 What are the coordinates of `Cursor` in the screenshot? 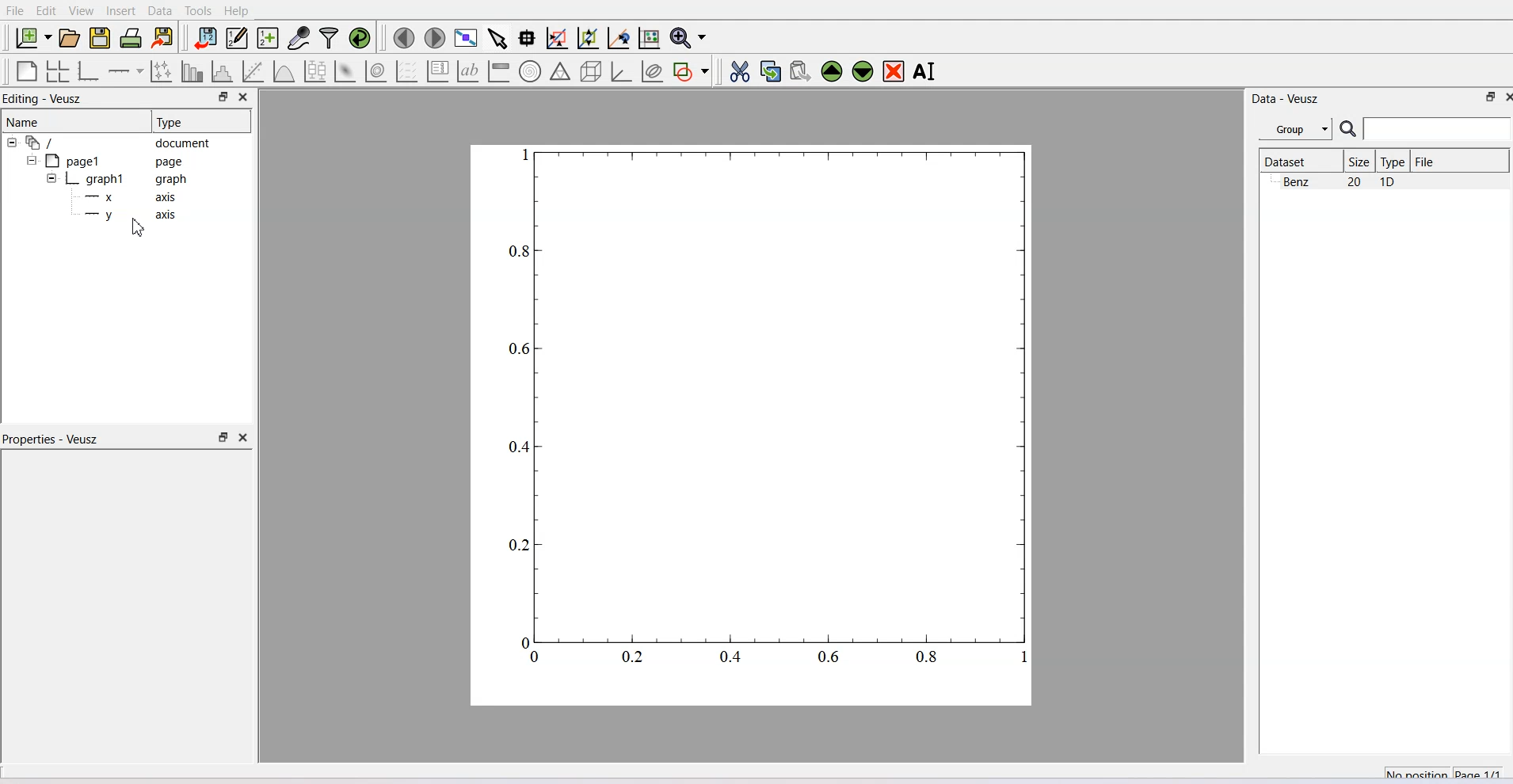 It's located at (139, 226).